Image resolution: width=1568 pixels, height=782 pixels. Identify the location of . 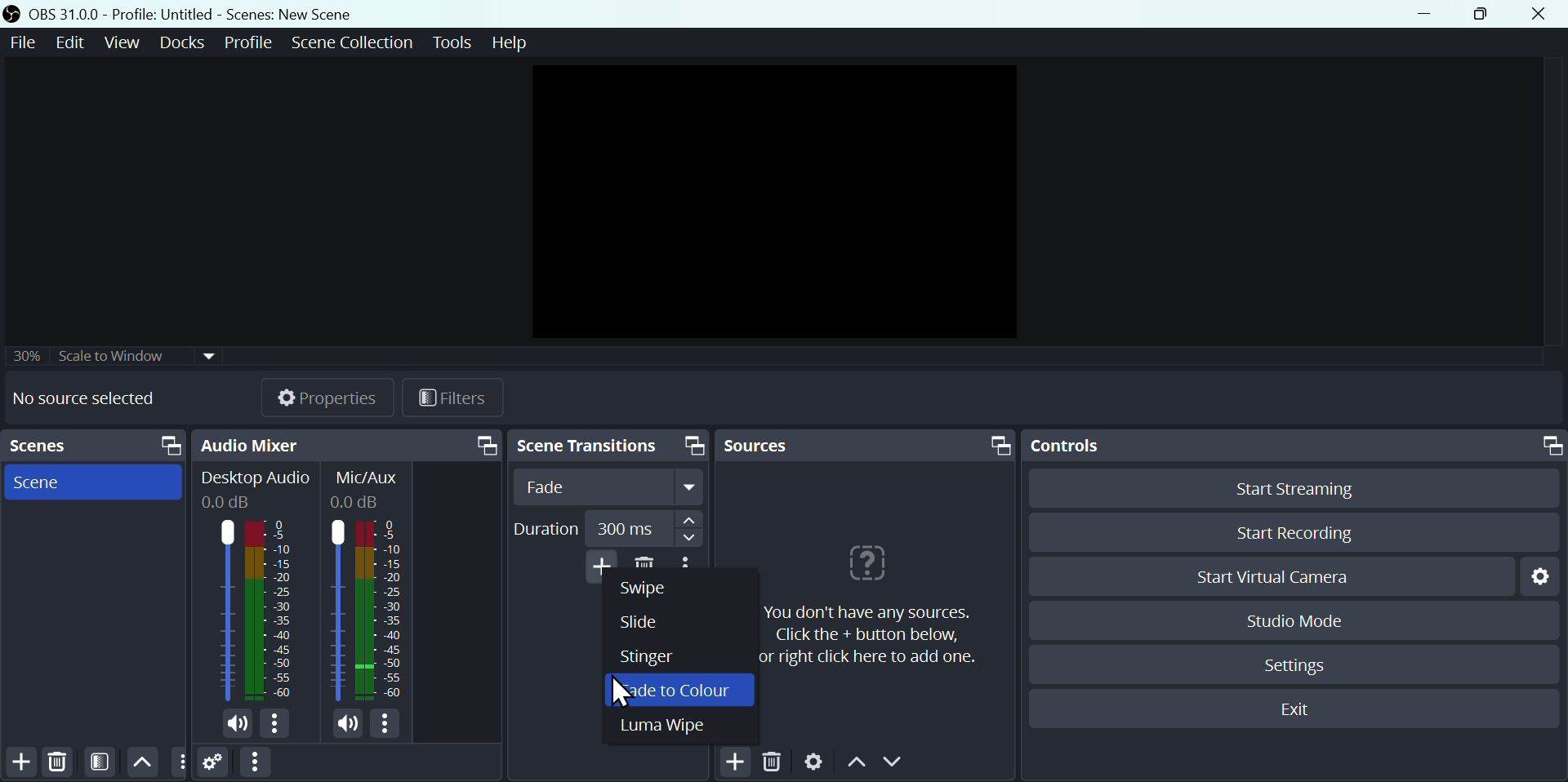
(73, 42).